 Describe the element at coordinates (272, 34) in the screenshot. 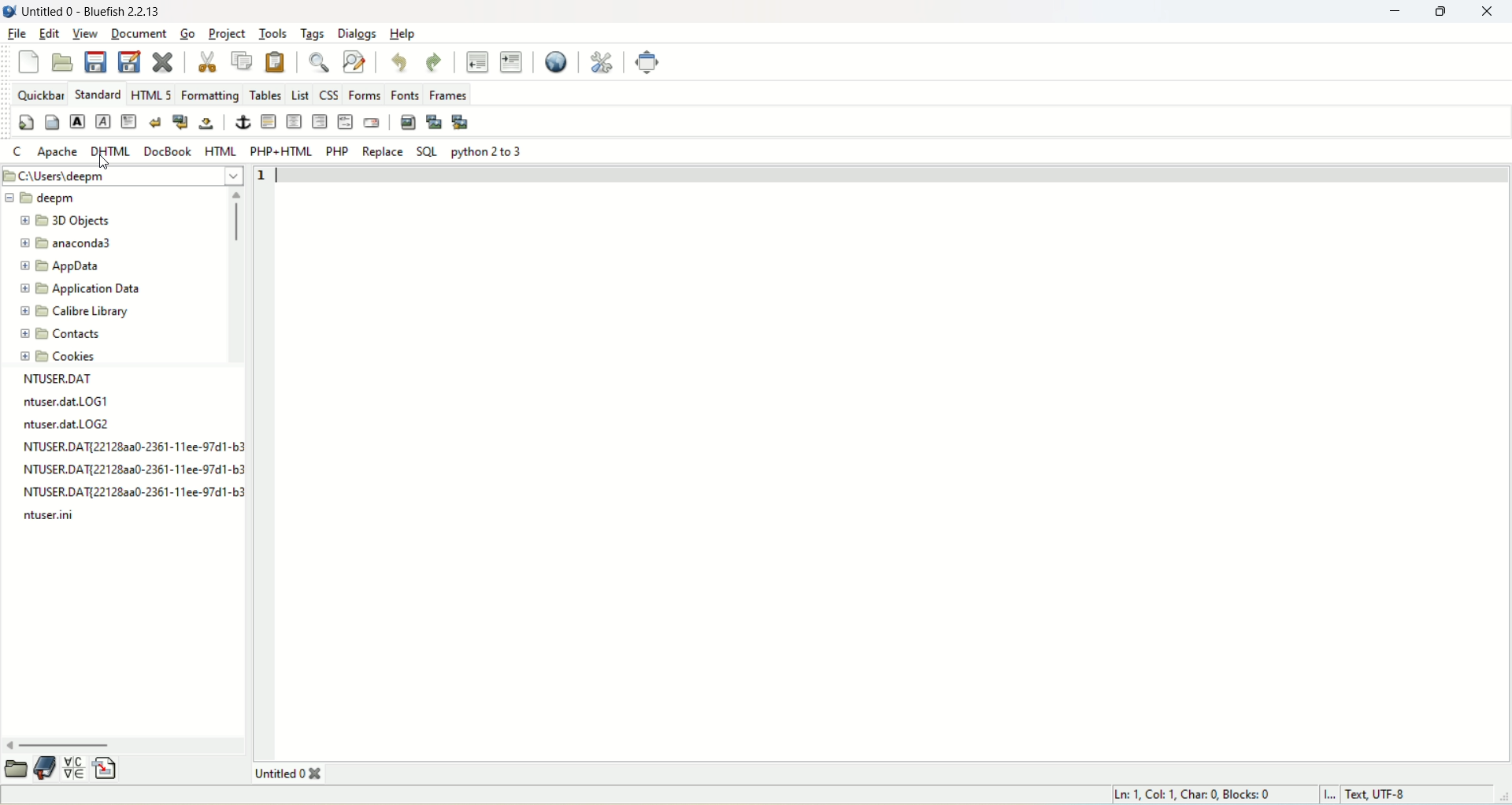

I see `tools` at that location.